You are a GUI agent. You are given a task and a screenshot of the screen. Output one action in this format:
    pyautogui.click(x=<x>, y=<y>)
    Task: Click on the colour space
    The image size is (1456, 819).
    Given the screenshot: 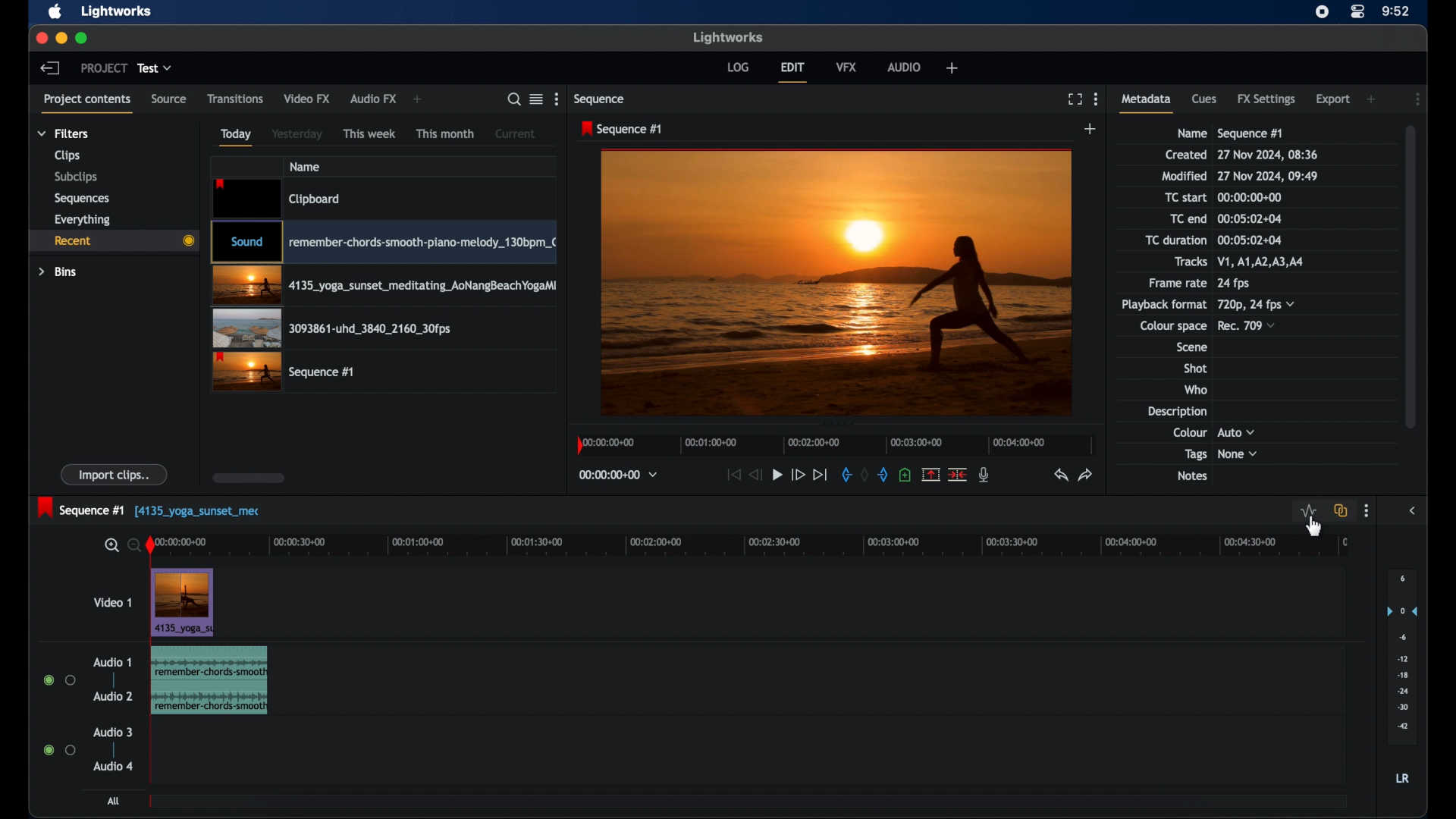 What is the action you would take?
    pyautogui.click(x=1173, y=326)
    